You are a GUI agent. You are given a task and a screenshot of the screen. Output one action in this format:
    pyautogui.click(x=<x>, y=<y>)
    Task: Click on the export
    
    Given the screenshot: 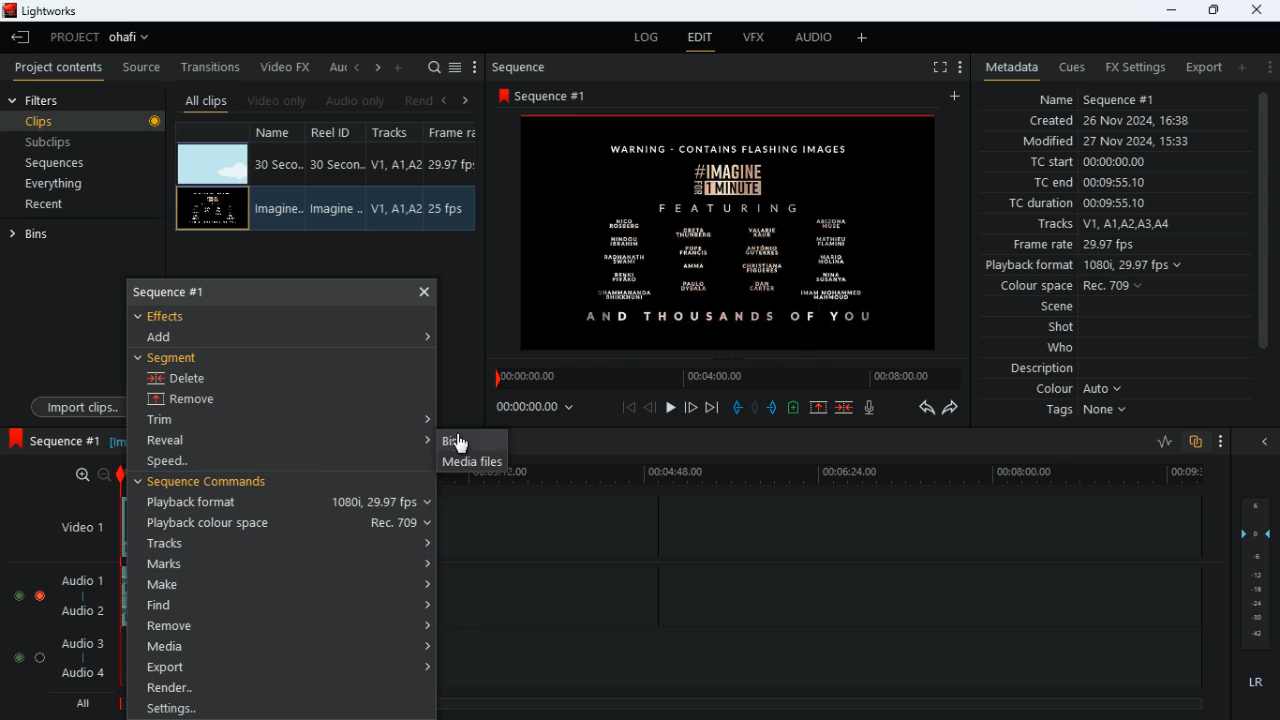 What is the action you would take?
    pyautogui.click(x=278, y=668)
    